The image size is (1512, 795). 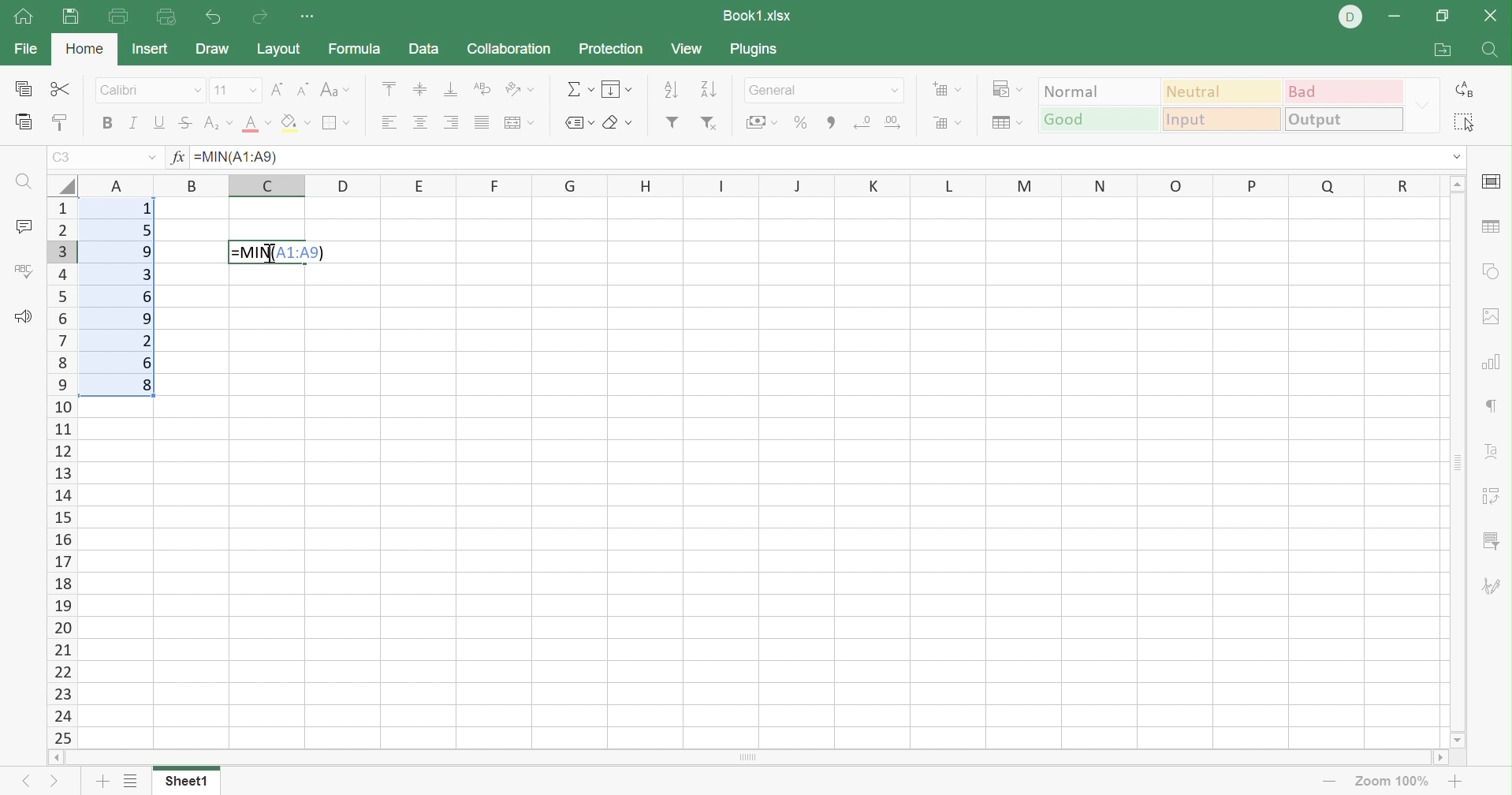 I want to click on Summation, so click(x=578, y=90).